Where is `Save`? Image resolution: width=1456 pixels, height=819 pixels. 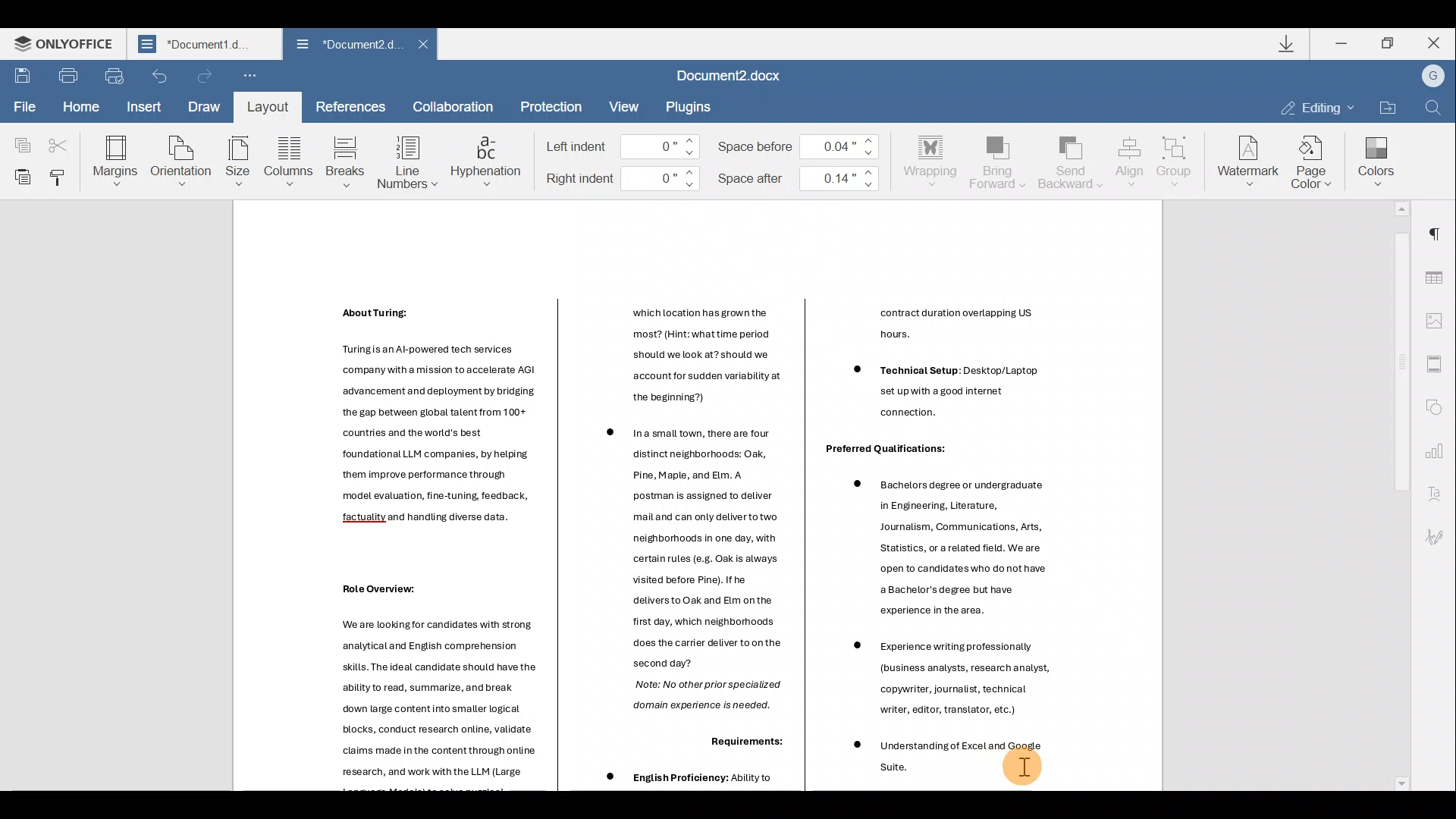 Save is located at coordinates (20, 77).